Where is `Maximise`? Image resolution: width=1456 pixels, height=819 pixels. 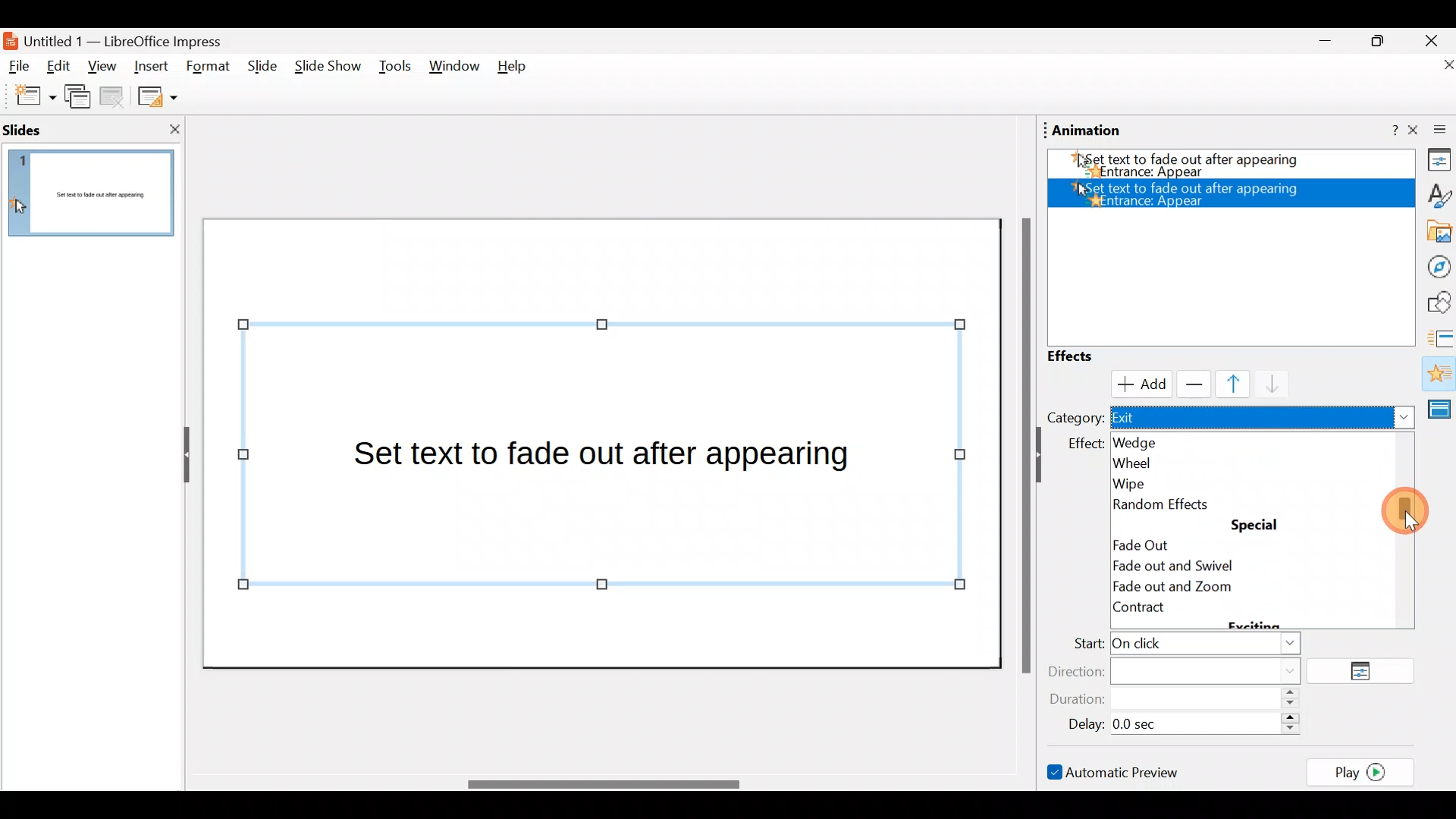
Maximise is located at coordinates (1383, 41).